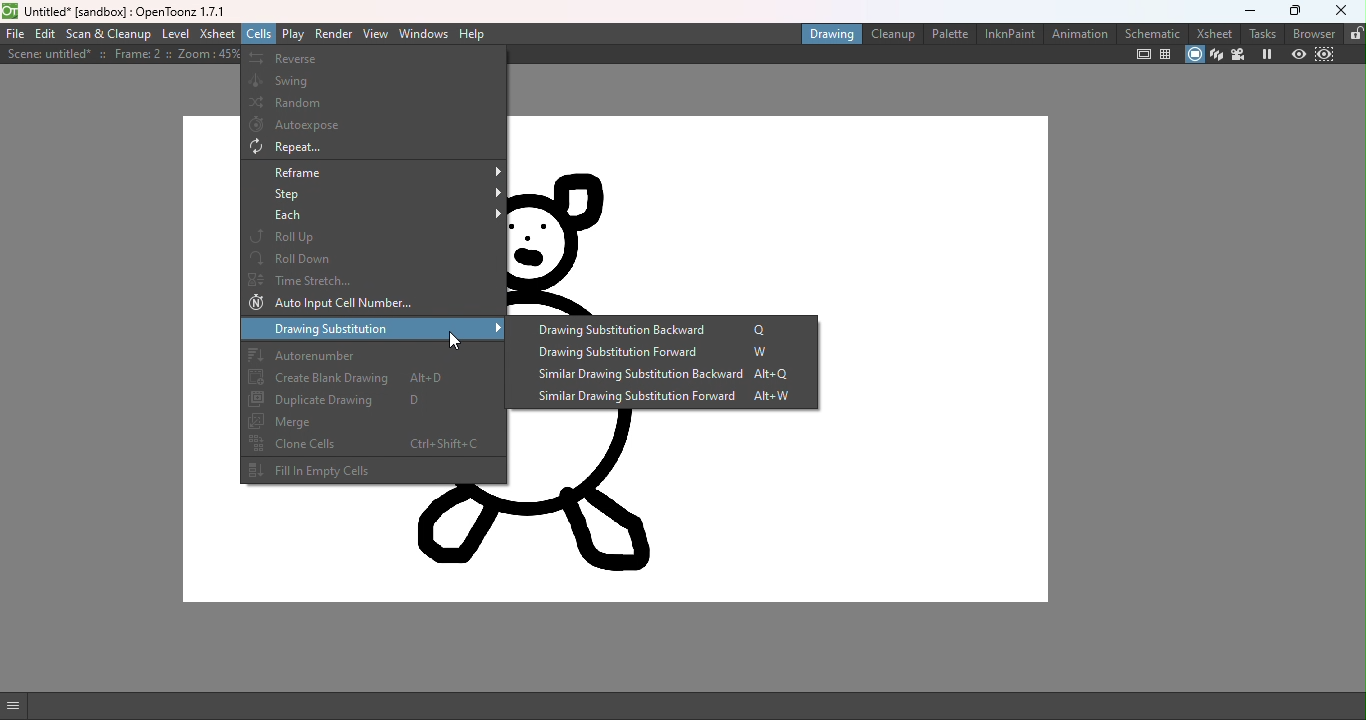 This screenshot has width=1366, height=720. I want to click on Drawing substitution forward, so click(661, 353).